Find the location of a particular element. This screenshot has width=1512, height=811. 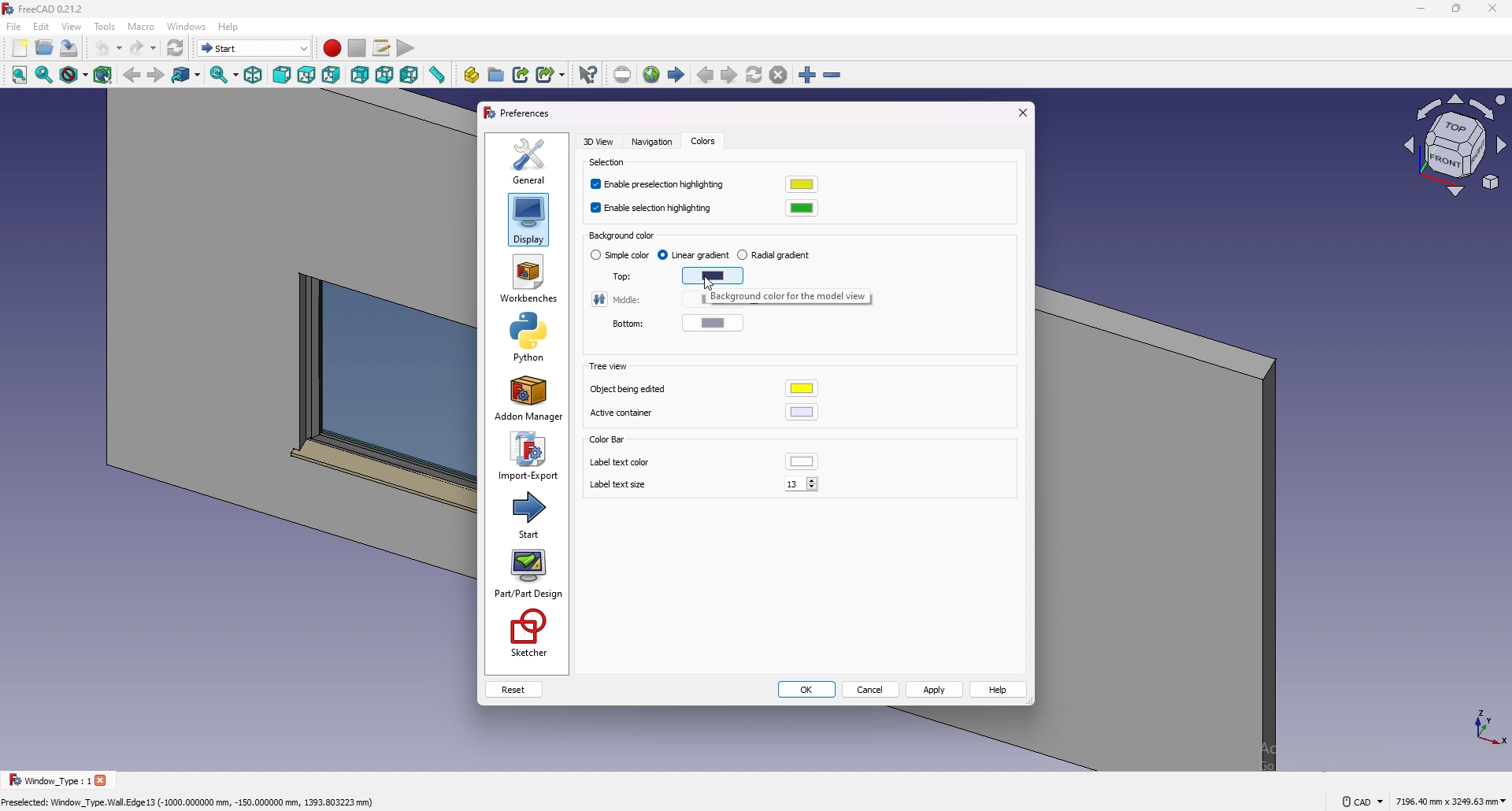

tree view is located at coordinates (606, 367).